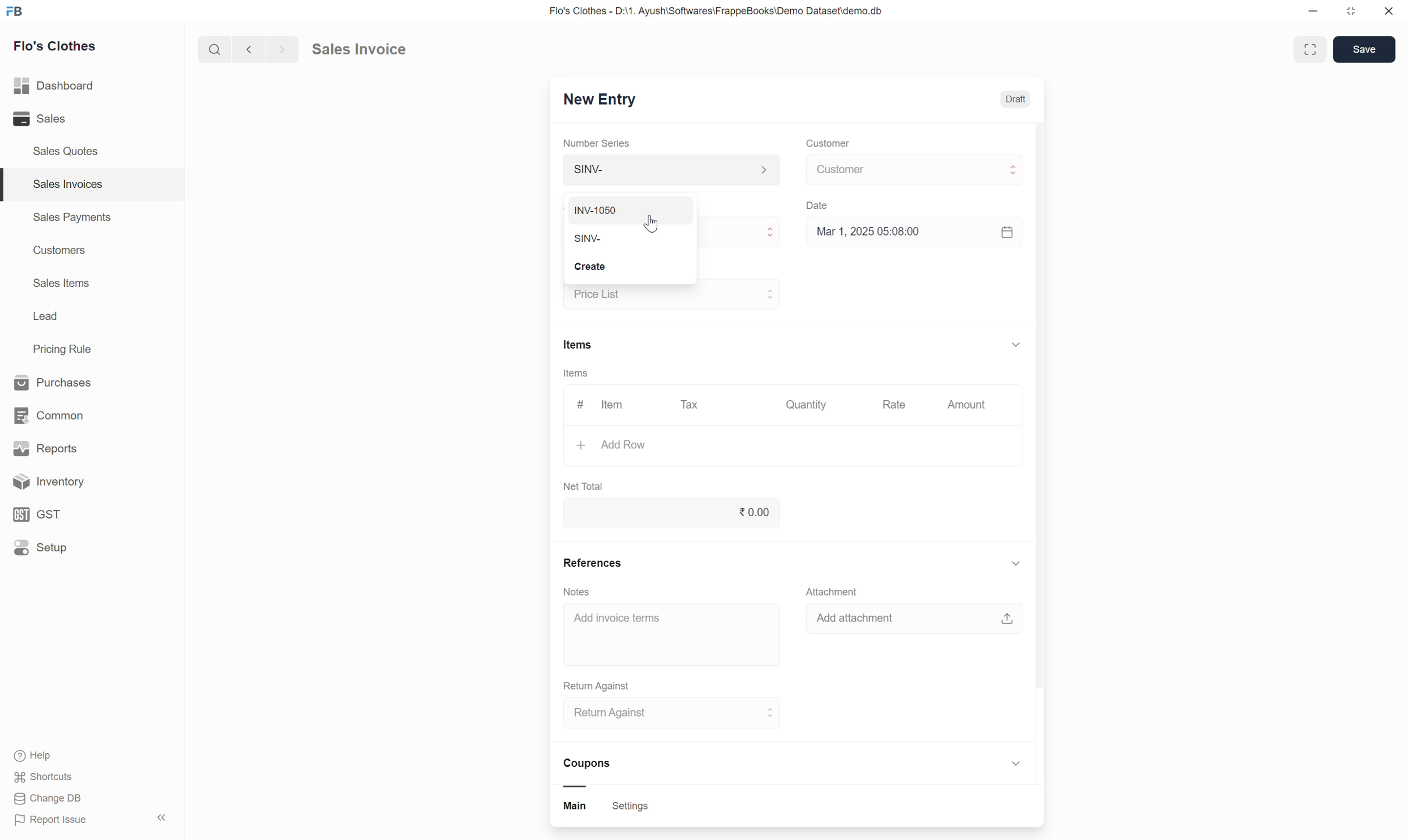 The image size is (1408, 840). What do you see at coordinates (50, 800) in the screenshot?
I see `Change DB` at bounding box center [50, 800].